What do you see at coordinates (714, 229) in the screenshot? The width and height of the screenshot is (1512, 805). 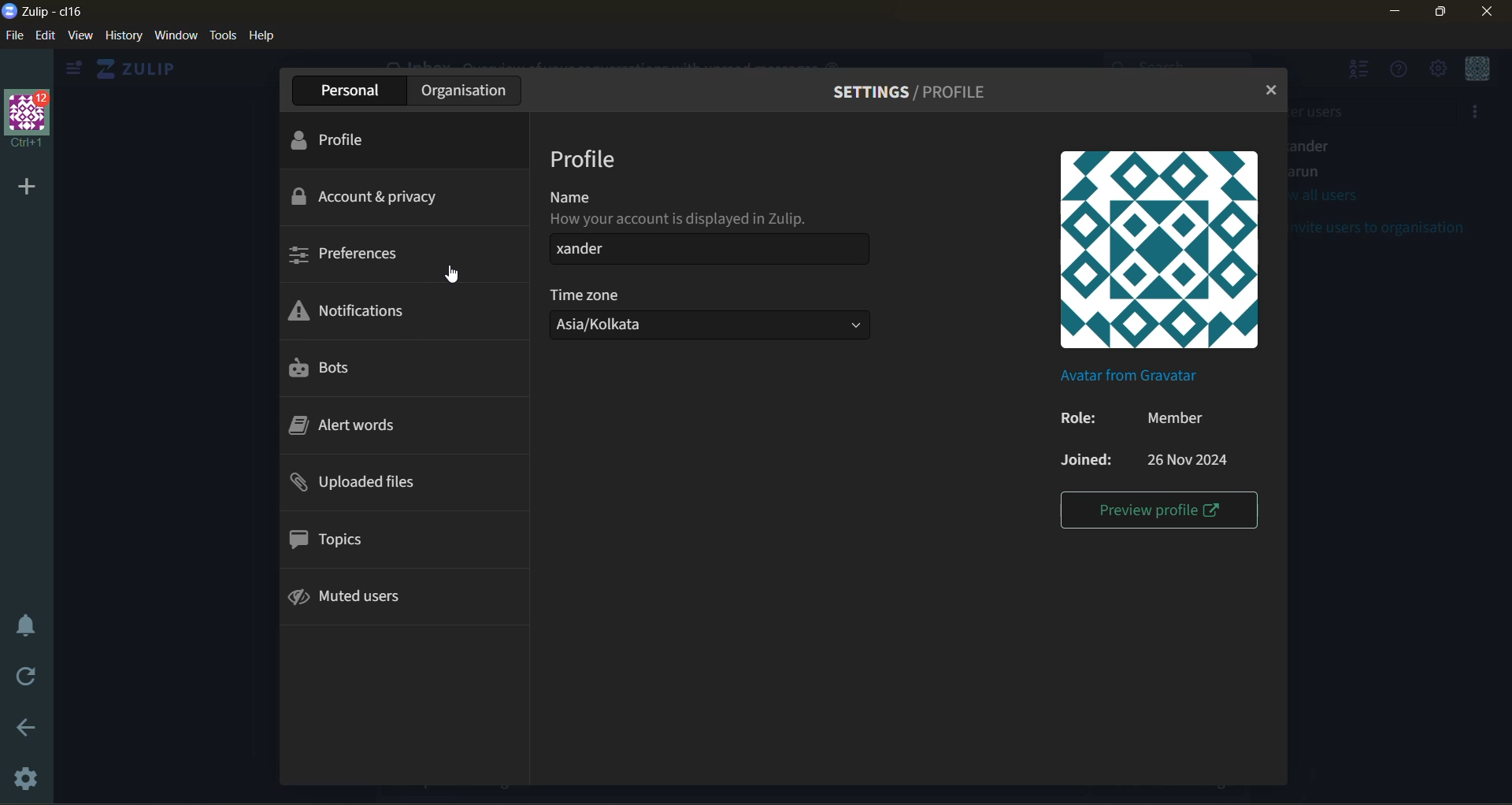 I see `name` at bounding box center [714, 229].